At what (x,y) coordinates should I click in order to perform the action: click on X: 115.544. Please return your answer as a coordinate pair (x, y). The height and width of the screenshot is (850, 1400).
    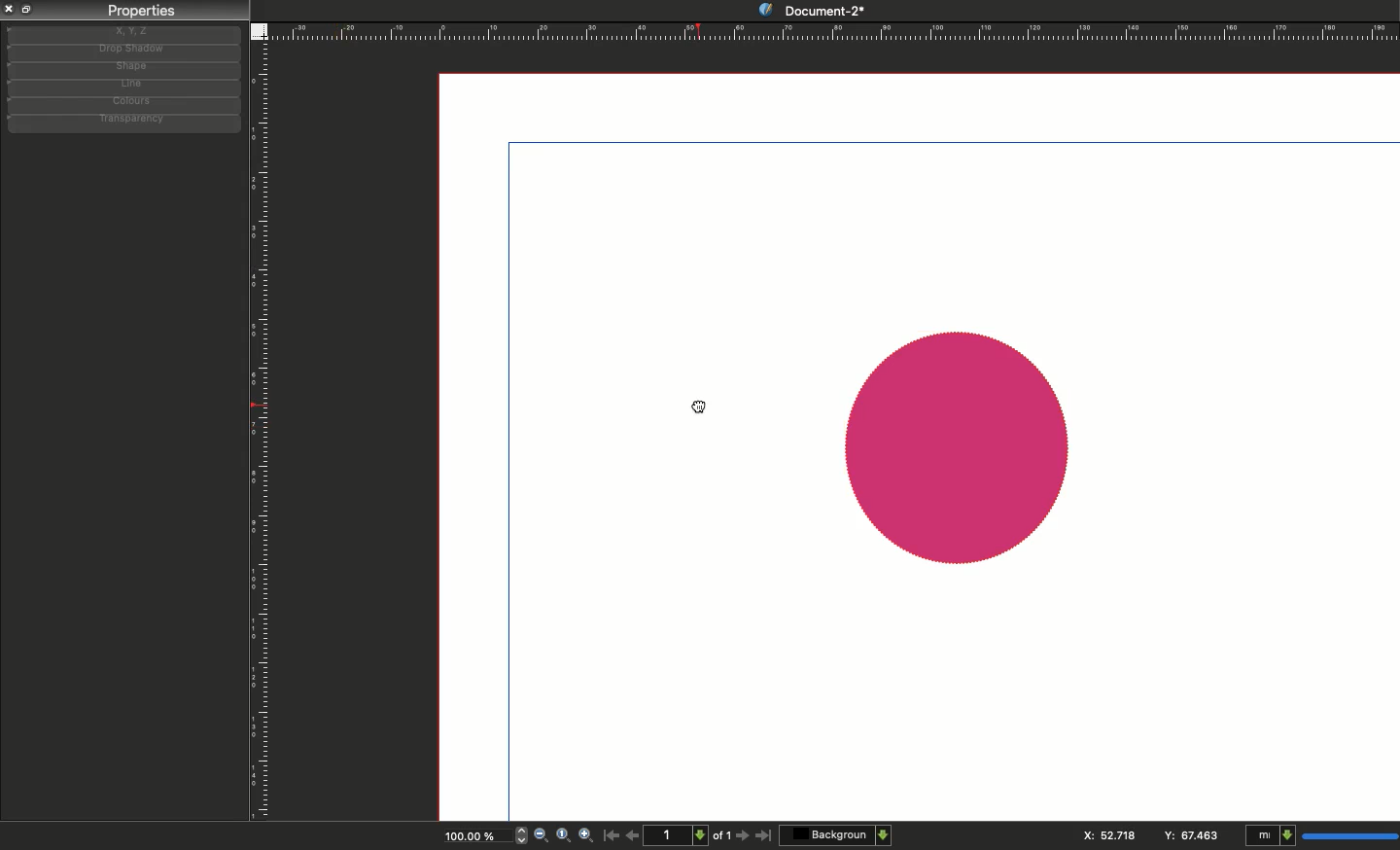
    Looking at the image, I should click on (1105, 835).